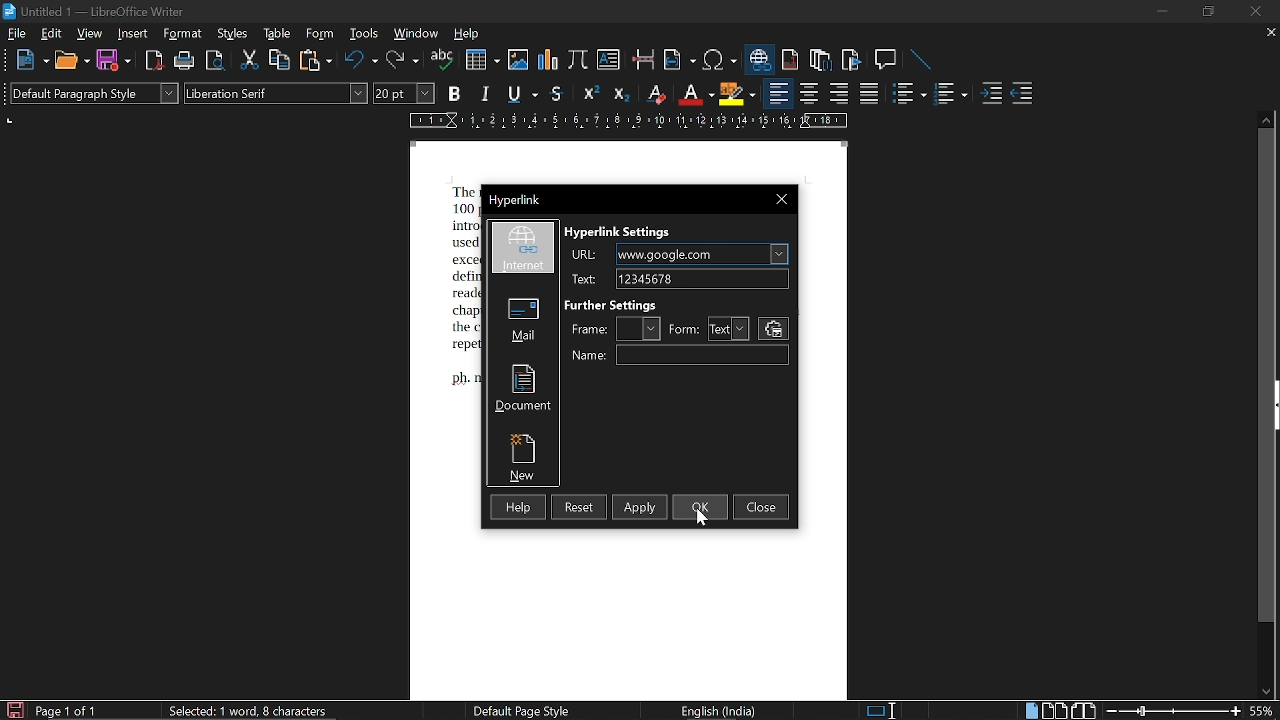 The image size is (1280, 720). Describe the element at coordinates (1024, 96) in the screenshot. I see `decrease indent` at that location.